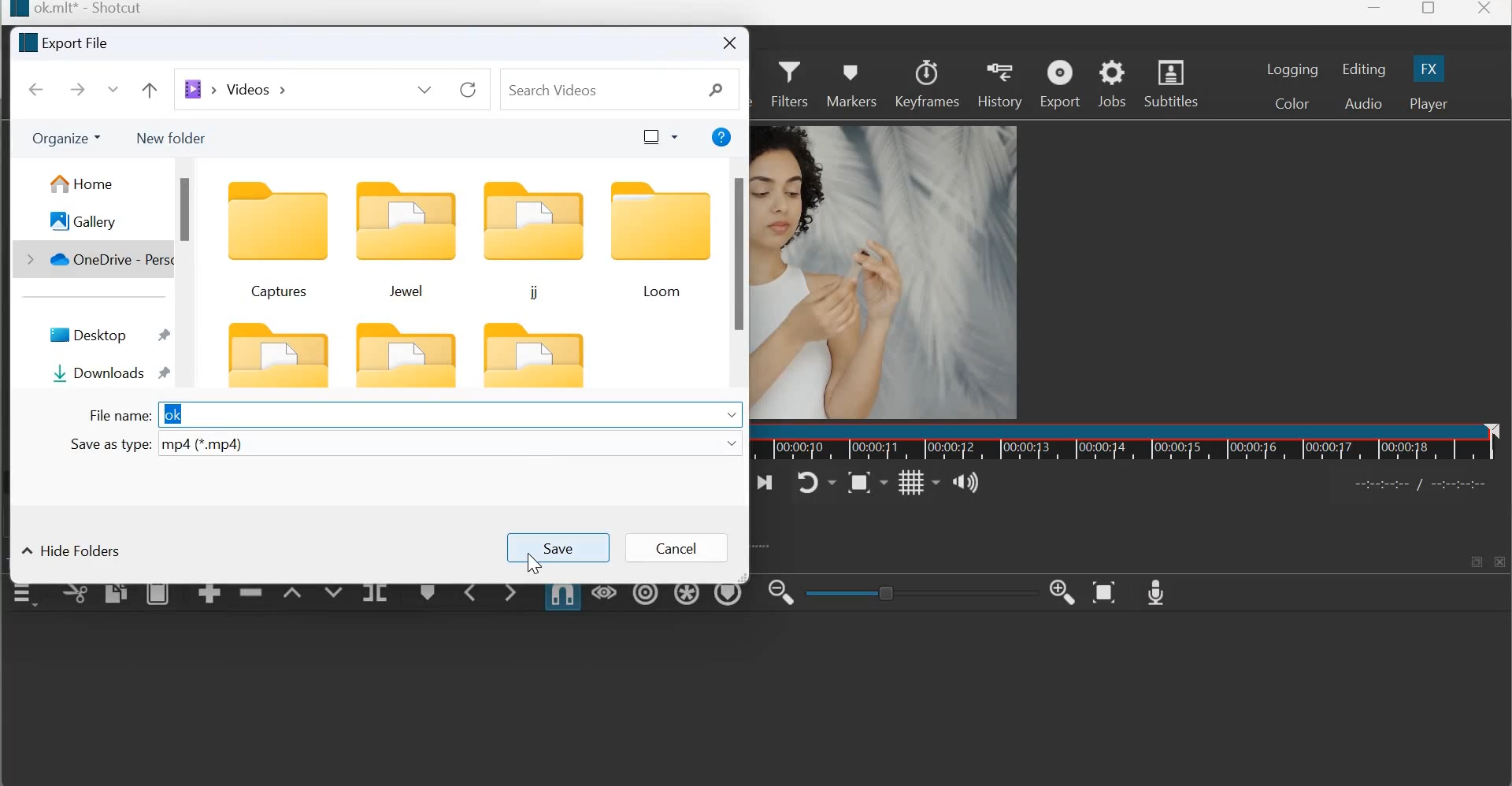  What do you see at coordinates (1157, 591) in the screenshot?
I see `Record Audio` at bounding box center [1157, 591].